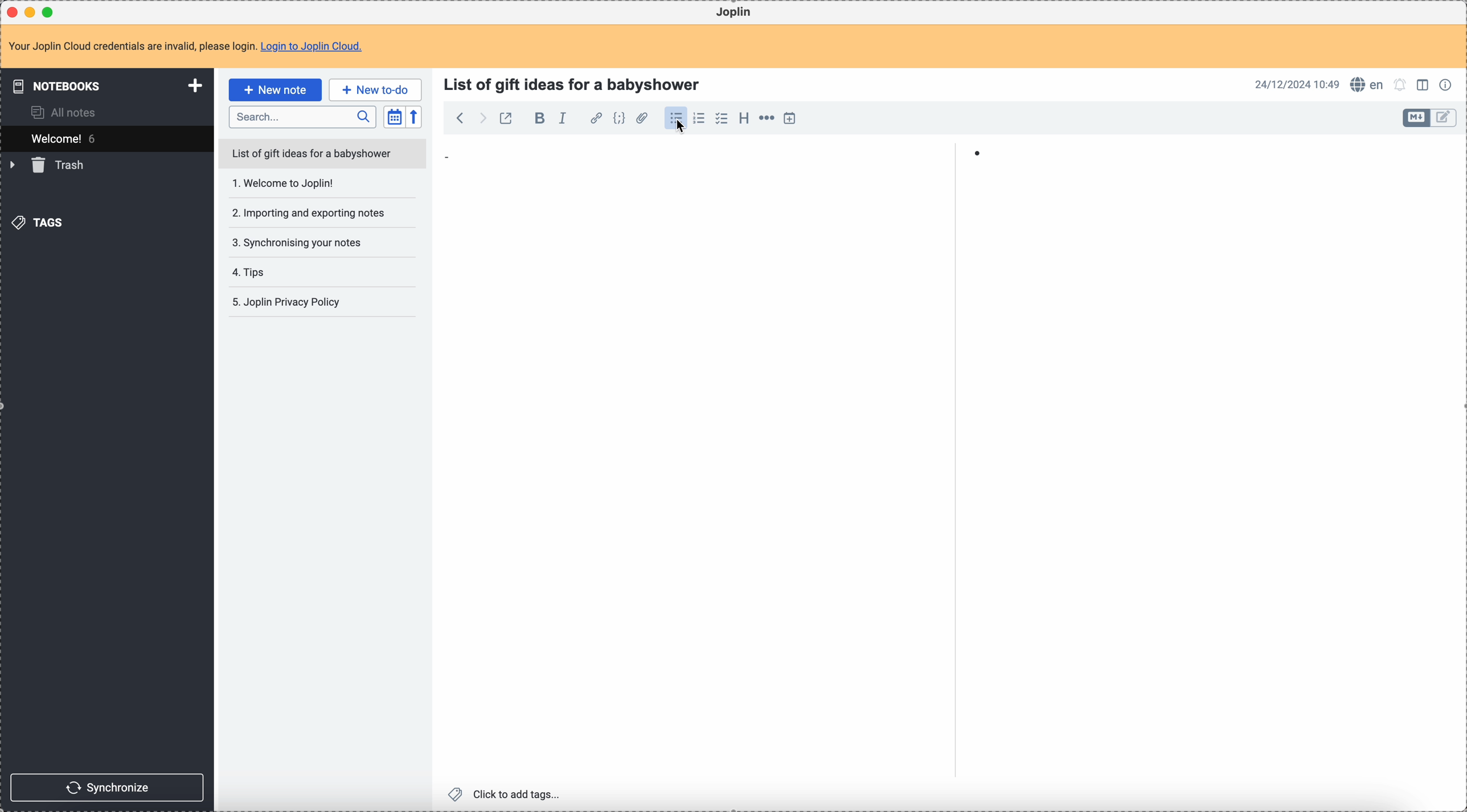 Image resolution: width=1467 pixels, height=812 pixels. What do you see at coordinates (1416, 118) in the screenshot?
I see `toggle edit layout` at bounding box center [1416, 118].